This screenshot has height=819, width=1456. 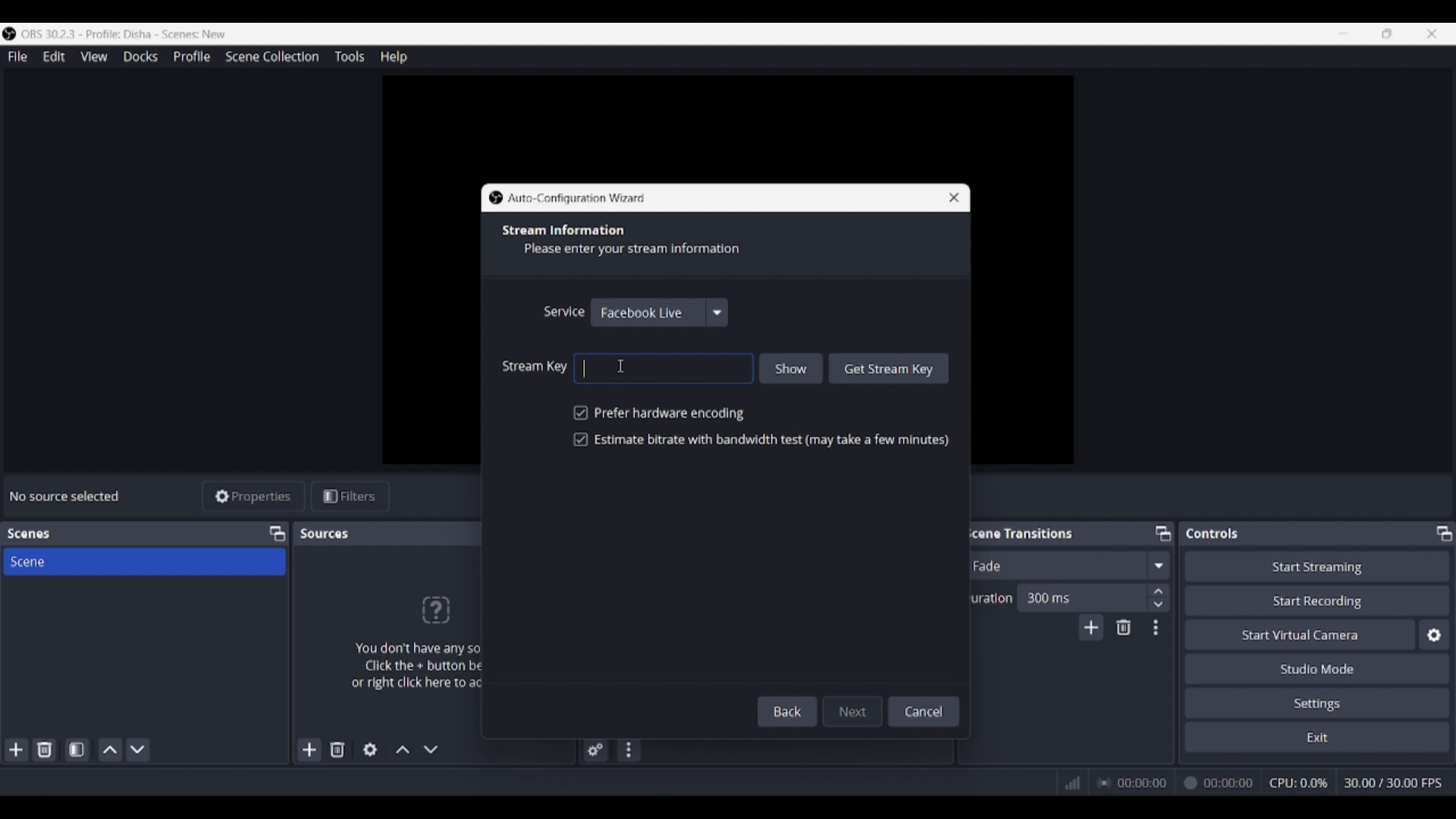 What do you see at coordinates (370, 750) in the screenshot?
I see `Open source properties` at bounding box center [370, 750].